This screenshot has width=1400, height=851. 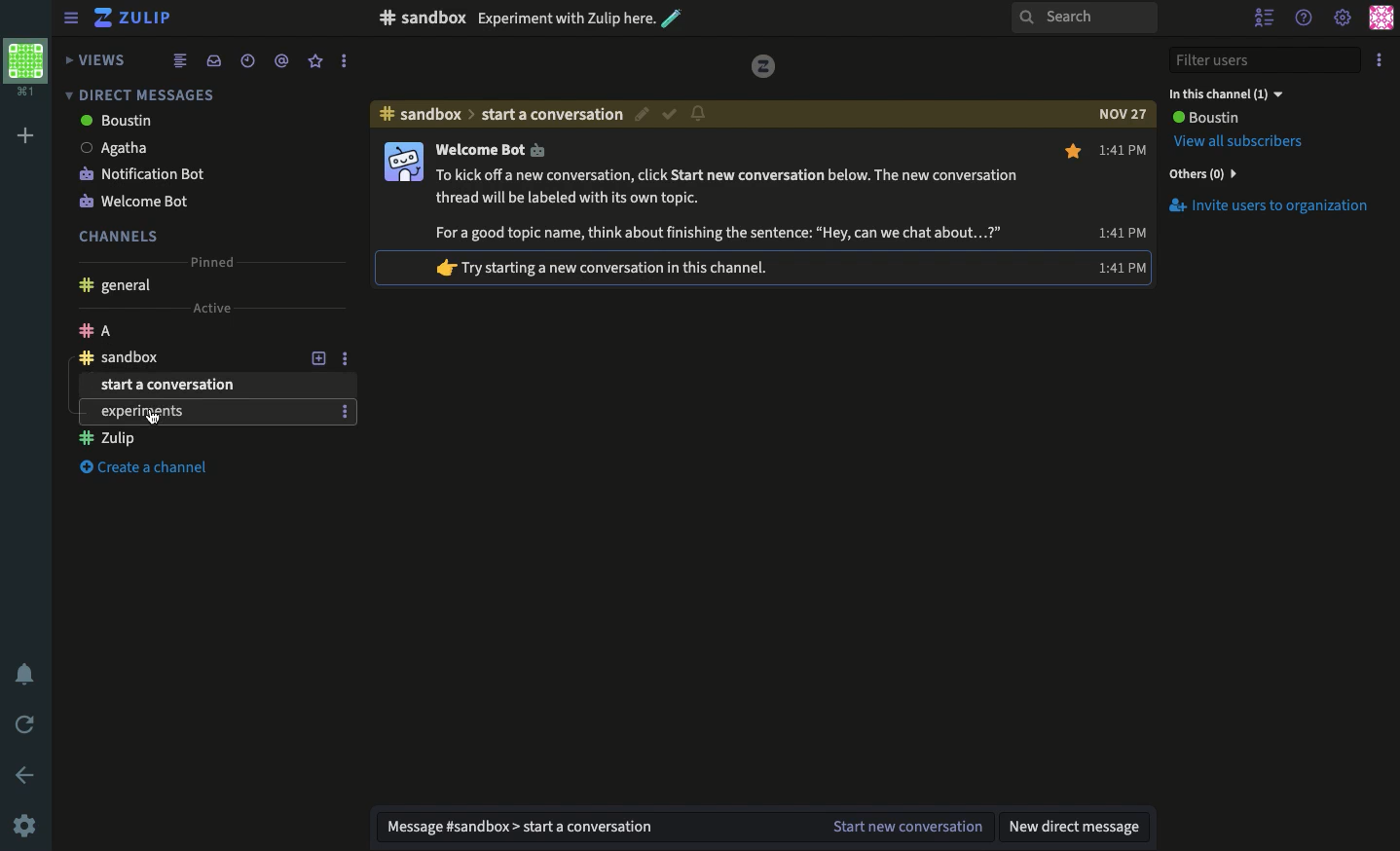 I want to click on Tag, so click(x=281, y=59).